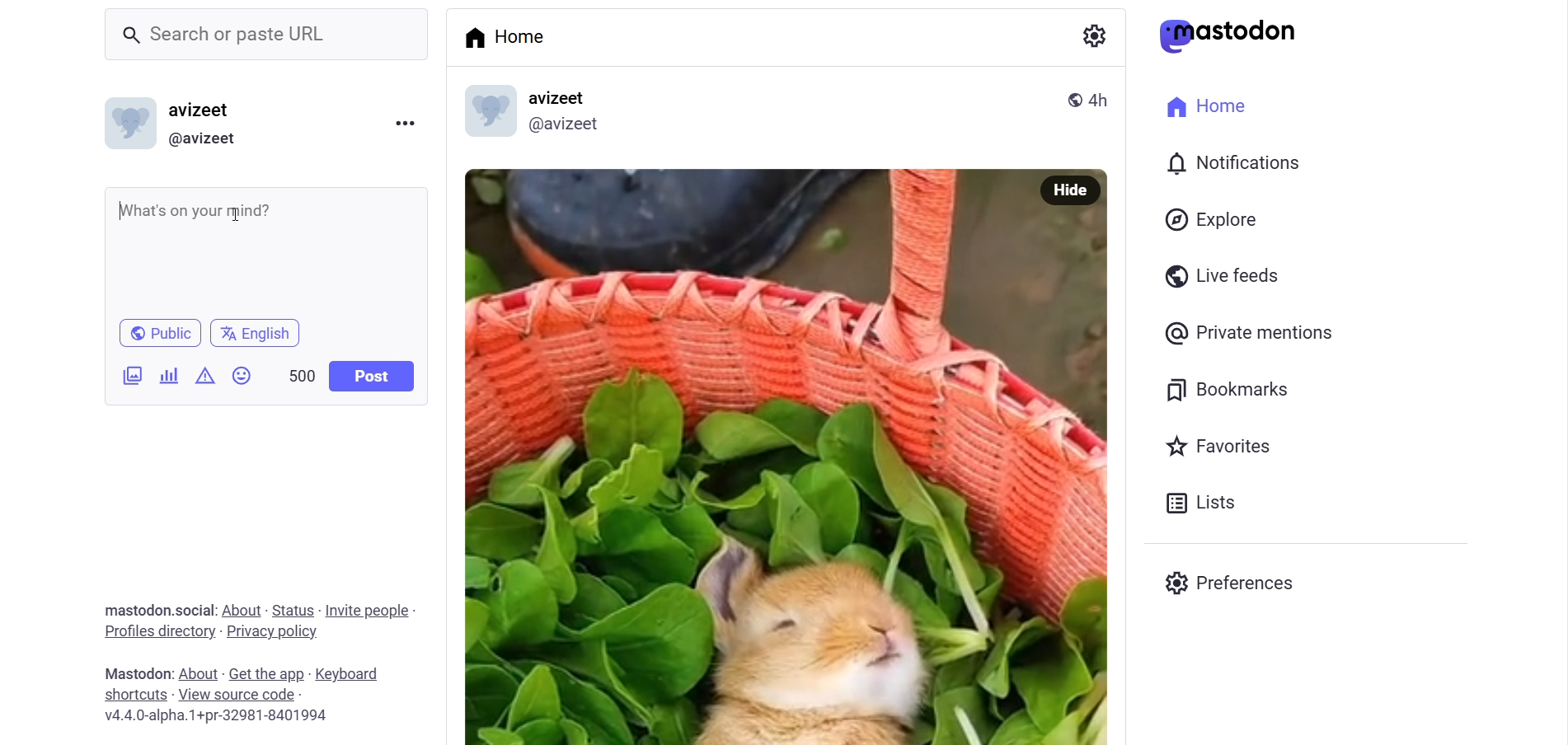 The width and height of the screenshot is (1568, 745). What do you see at coordinates (195, 609) in the screenshot?
I see `social` at bounding box center [195, 609].